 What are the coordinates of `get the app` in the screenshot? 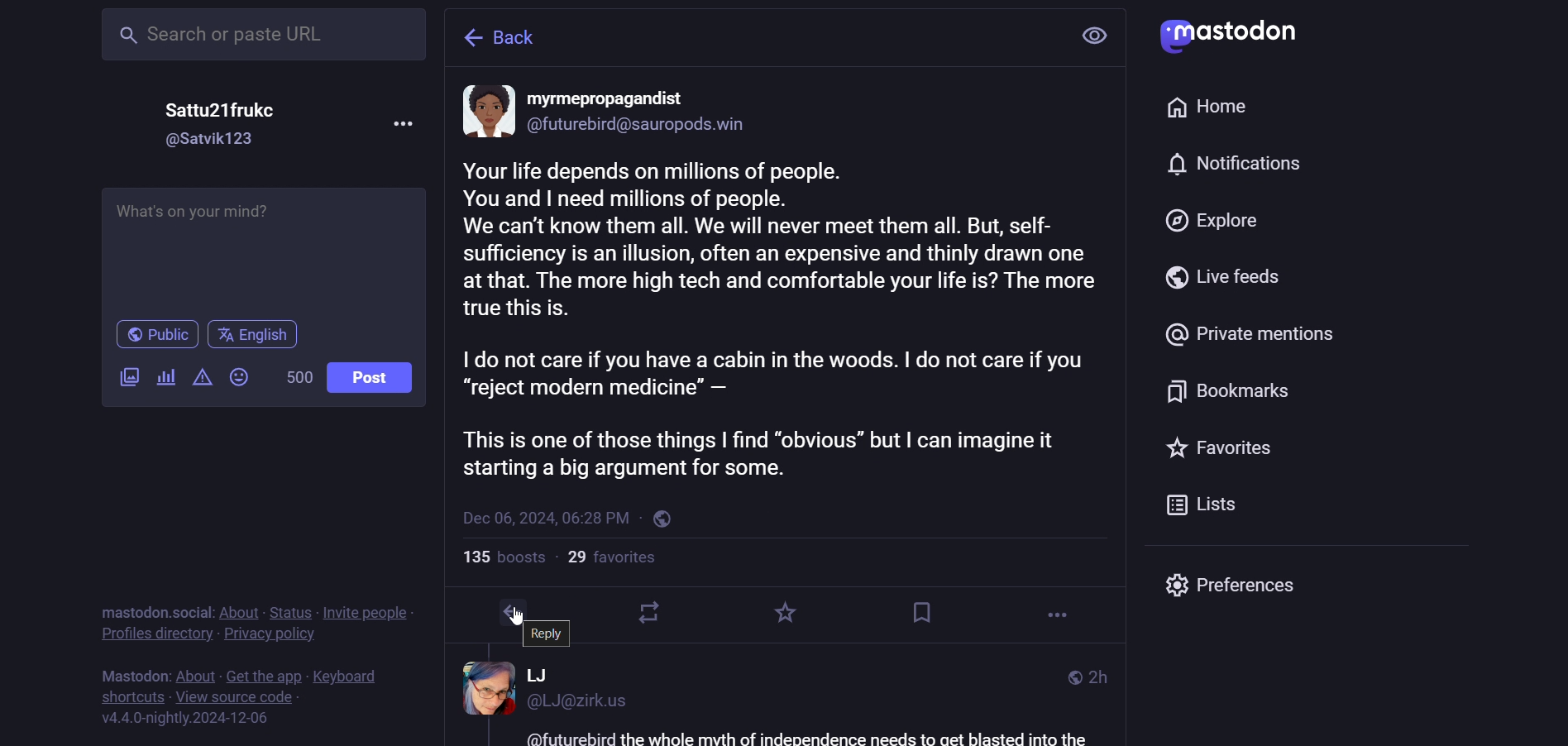 It's located at (261, 676).